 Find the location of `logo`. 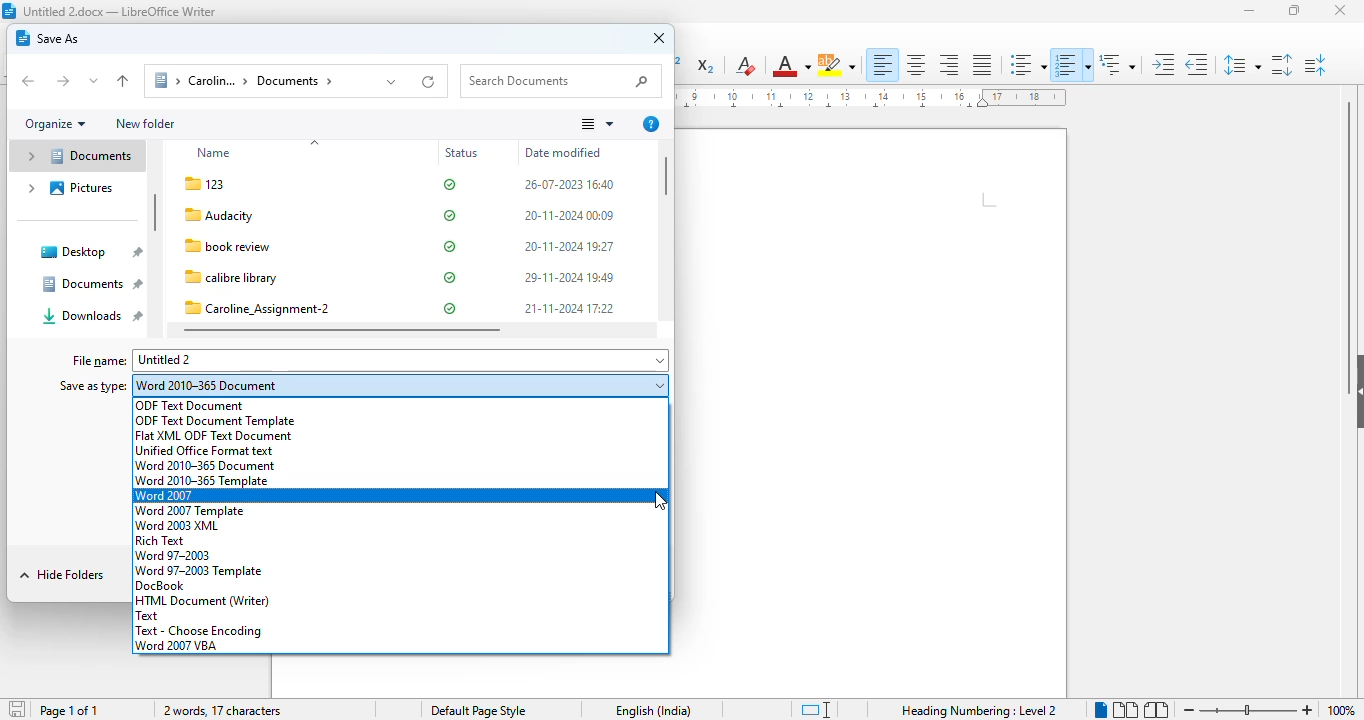

logo is located at coordinates (9, 11).